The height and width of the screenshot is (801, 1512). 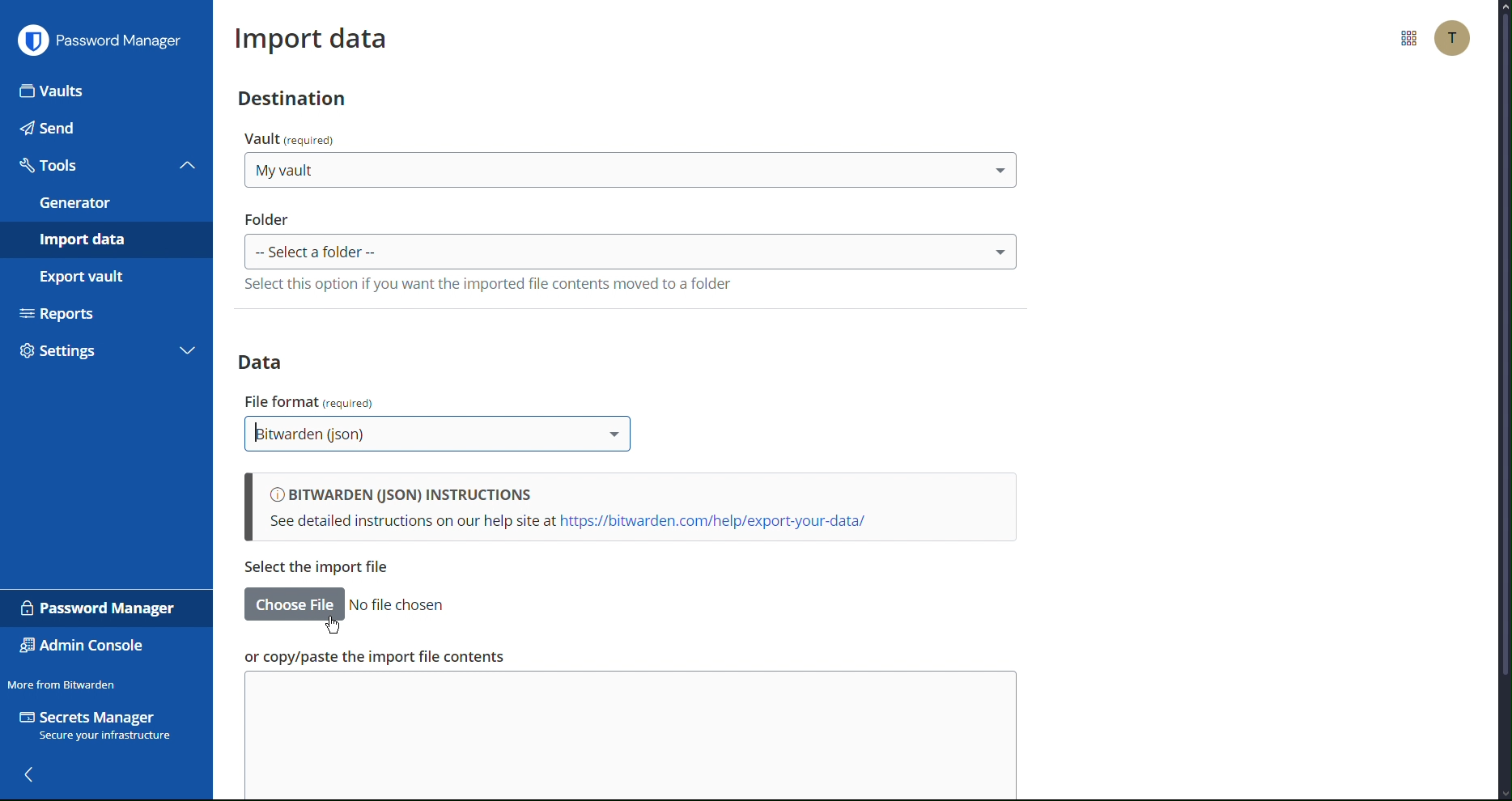 I want to click on Import data, so click(x=312, y=35).